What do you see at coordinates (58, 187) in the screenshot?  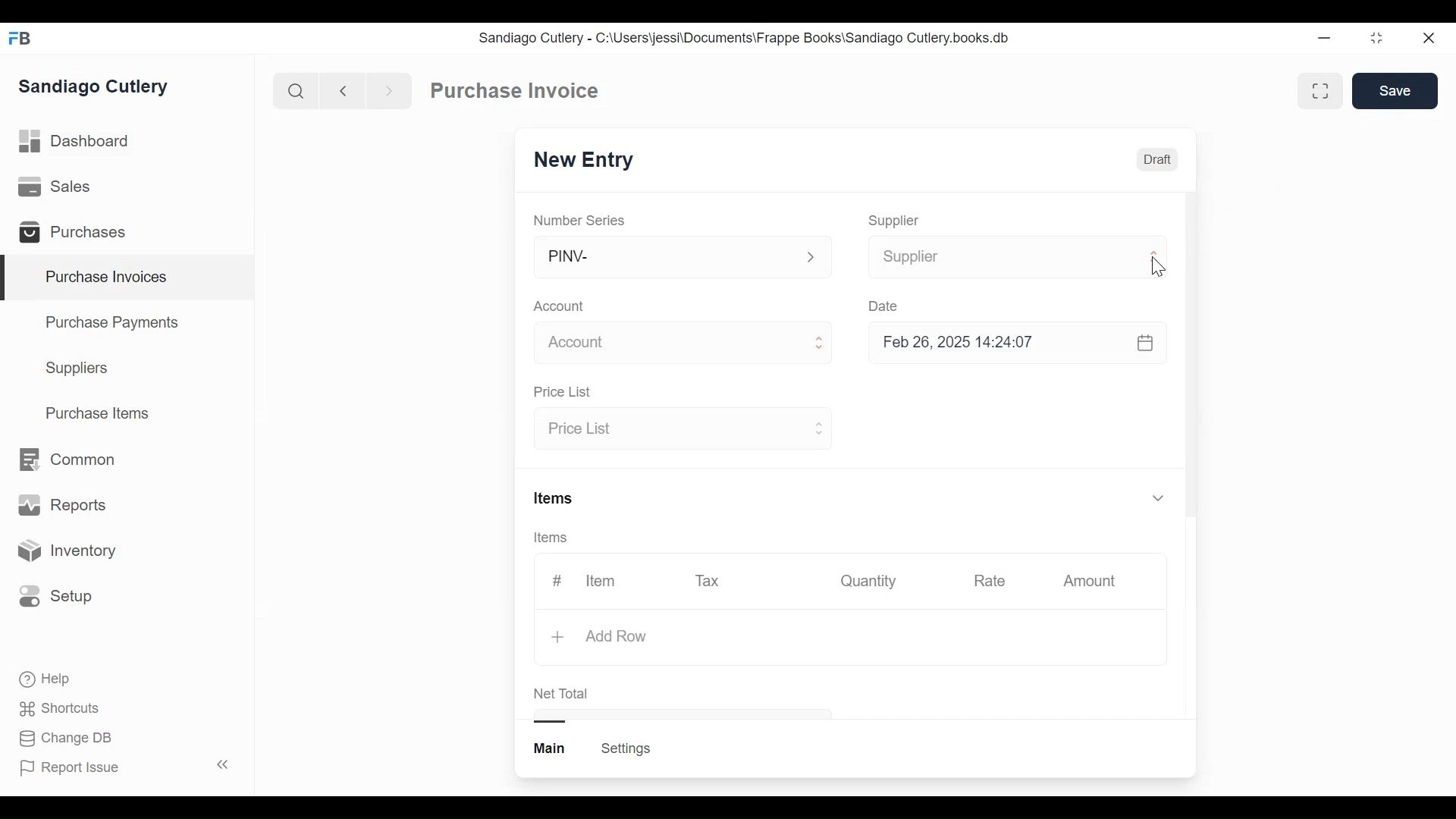 I see `Sales` at bounding box center [58, 187].